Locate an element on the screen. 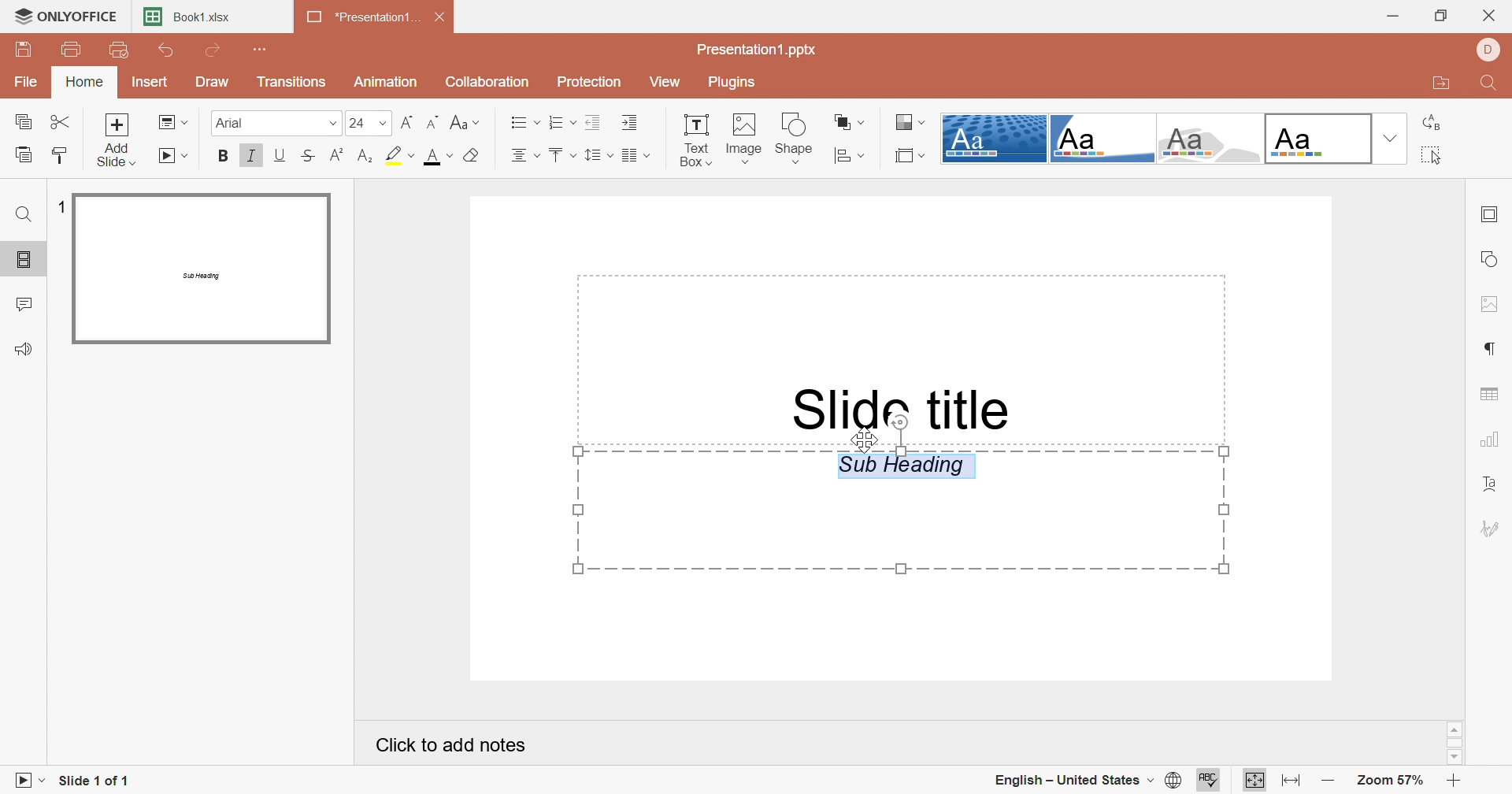  Fit to slide is located at coordinates (1255, 779).